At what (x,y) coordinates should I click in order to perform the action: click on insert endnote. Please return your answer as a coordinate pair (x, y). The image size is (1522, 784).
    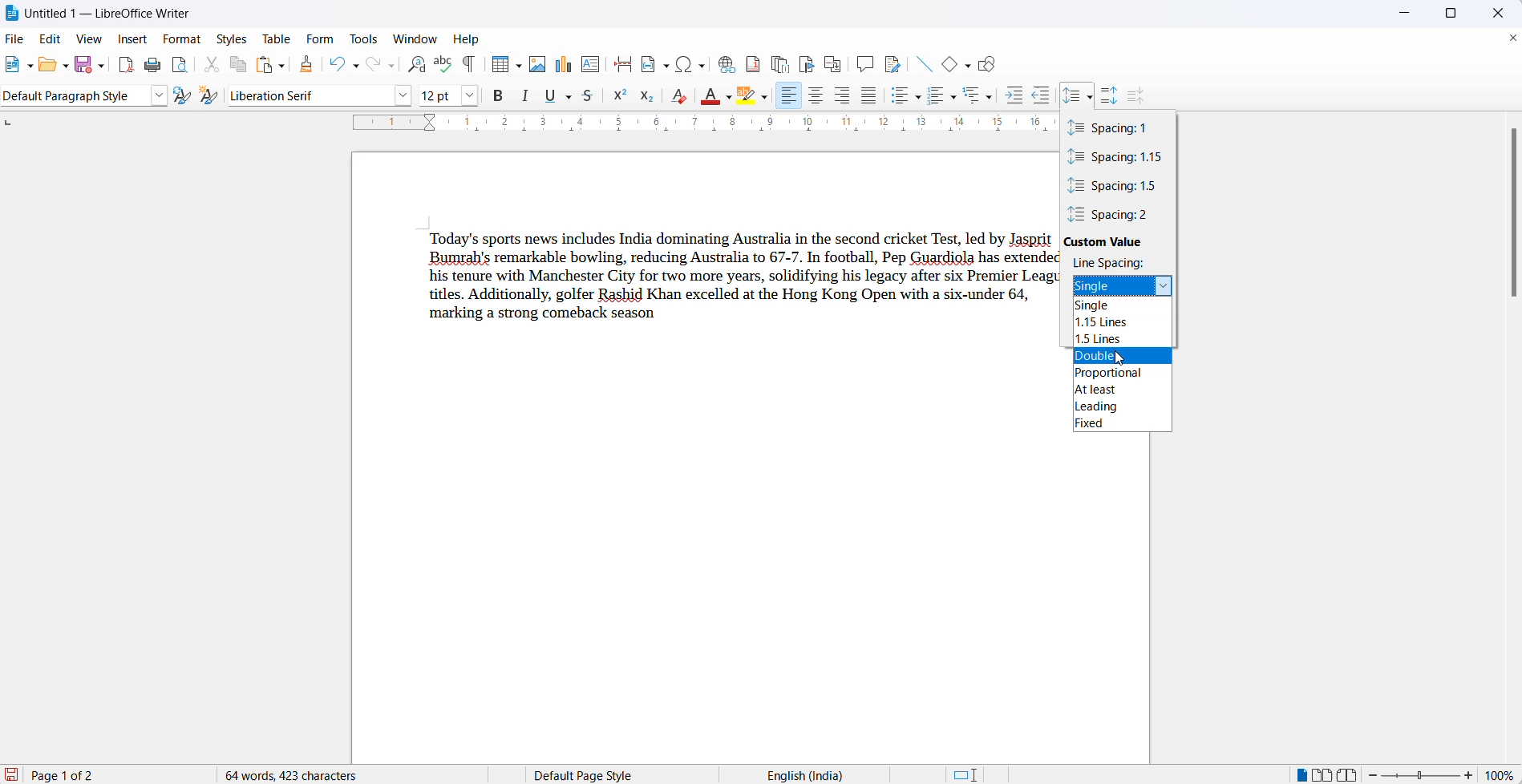
    Looking at the image, I should click on (778, 62).